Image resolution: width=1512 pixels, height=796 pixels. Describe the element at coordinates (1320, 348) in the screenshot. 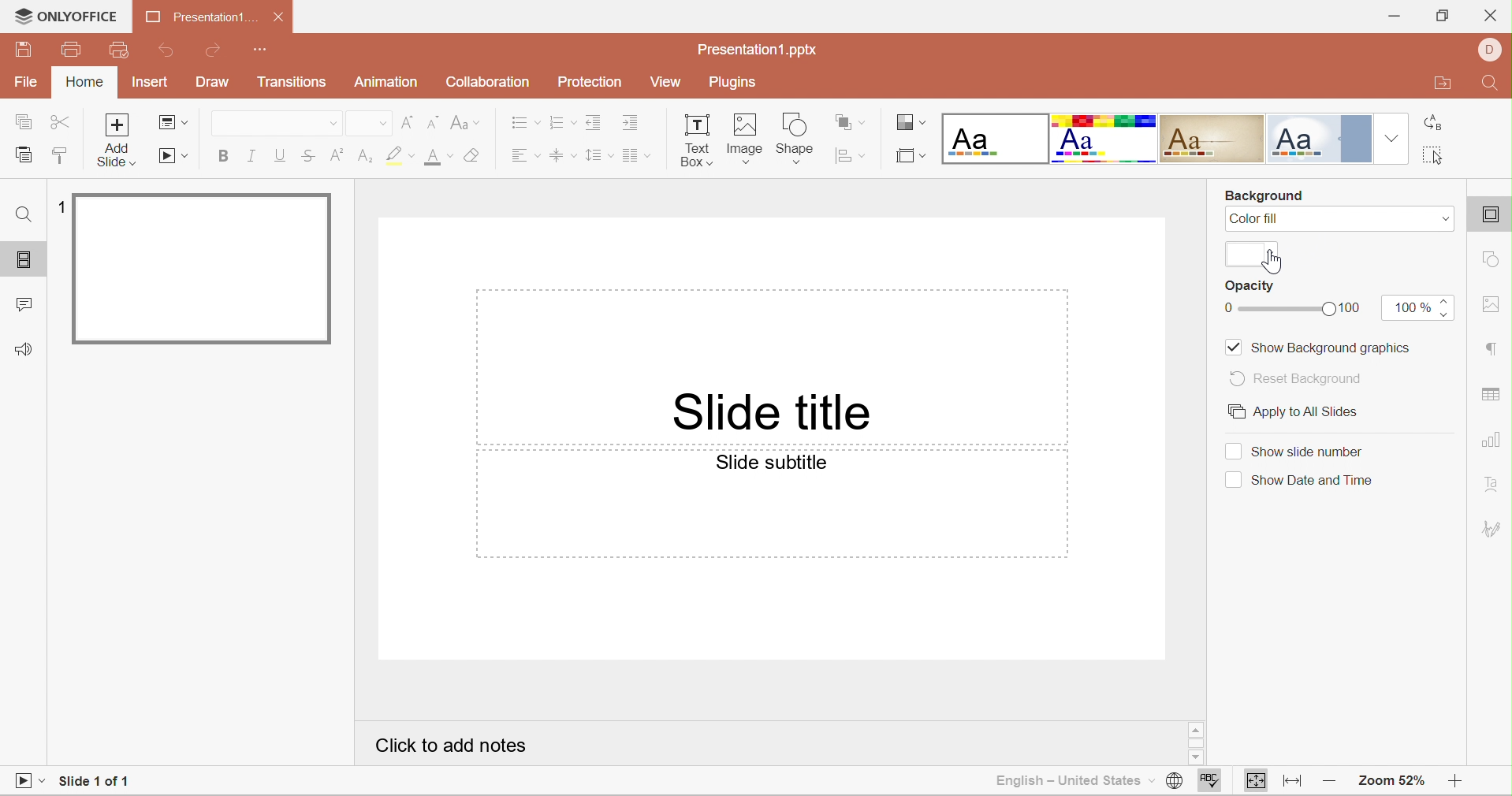

I see `Show background graphics` at that location.